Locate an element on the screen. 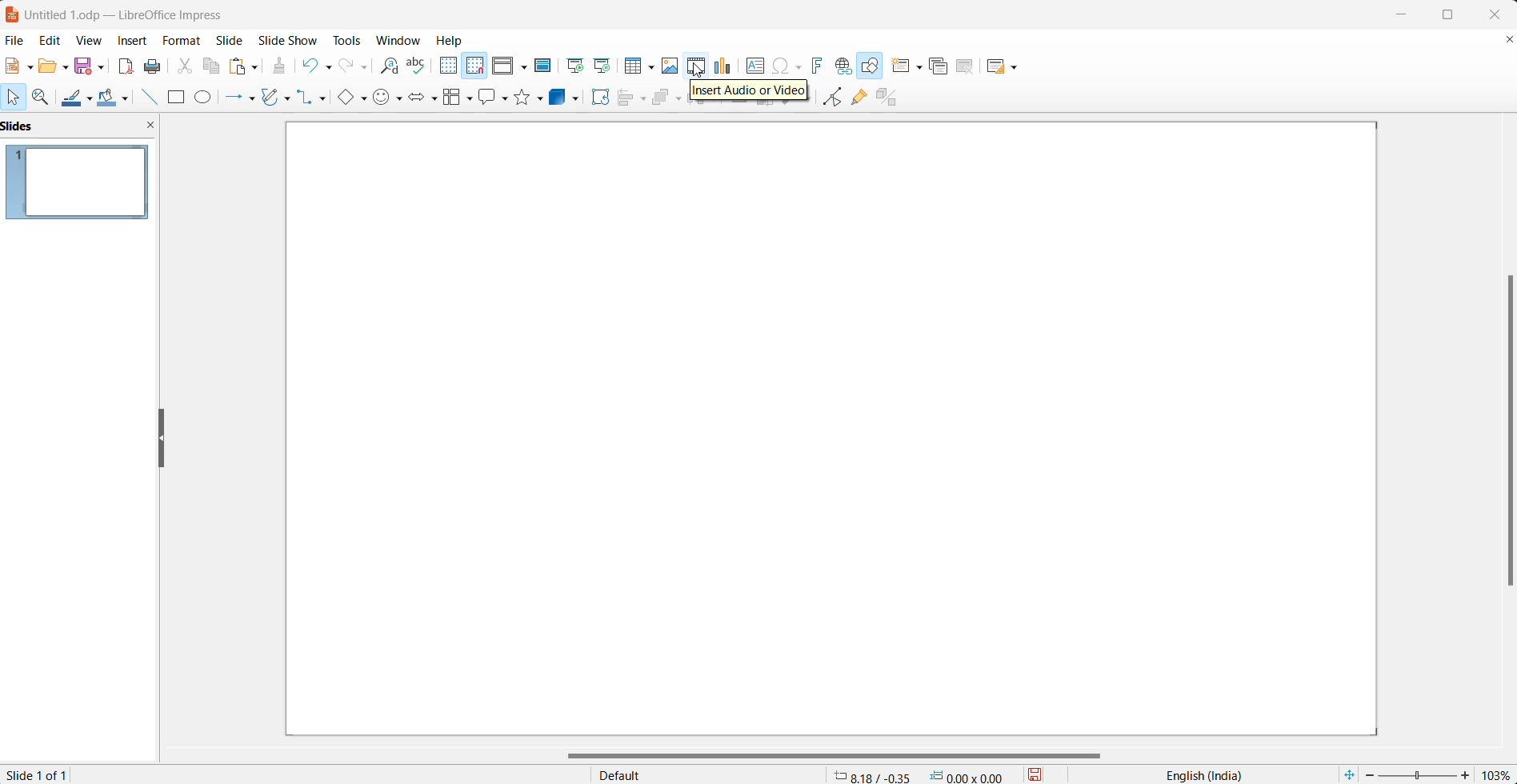 This screenshot has height=784, width=1517. redo is located at coordinates (350, 68).